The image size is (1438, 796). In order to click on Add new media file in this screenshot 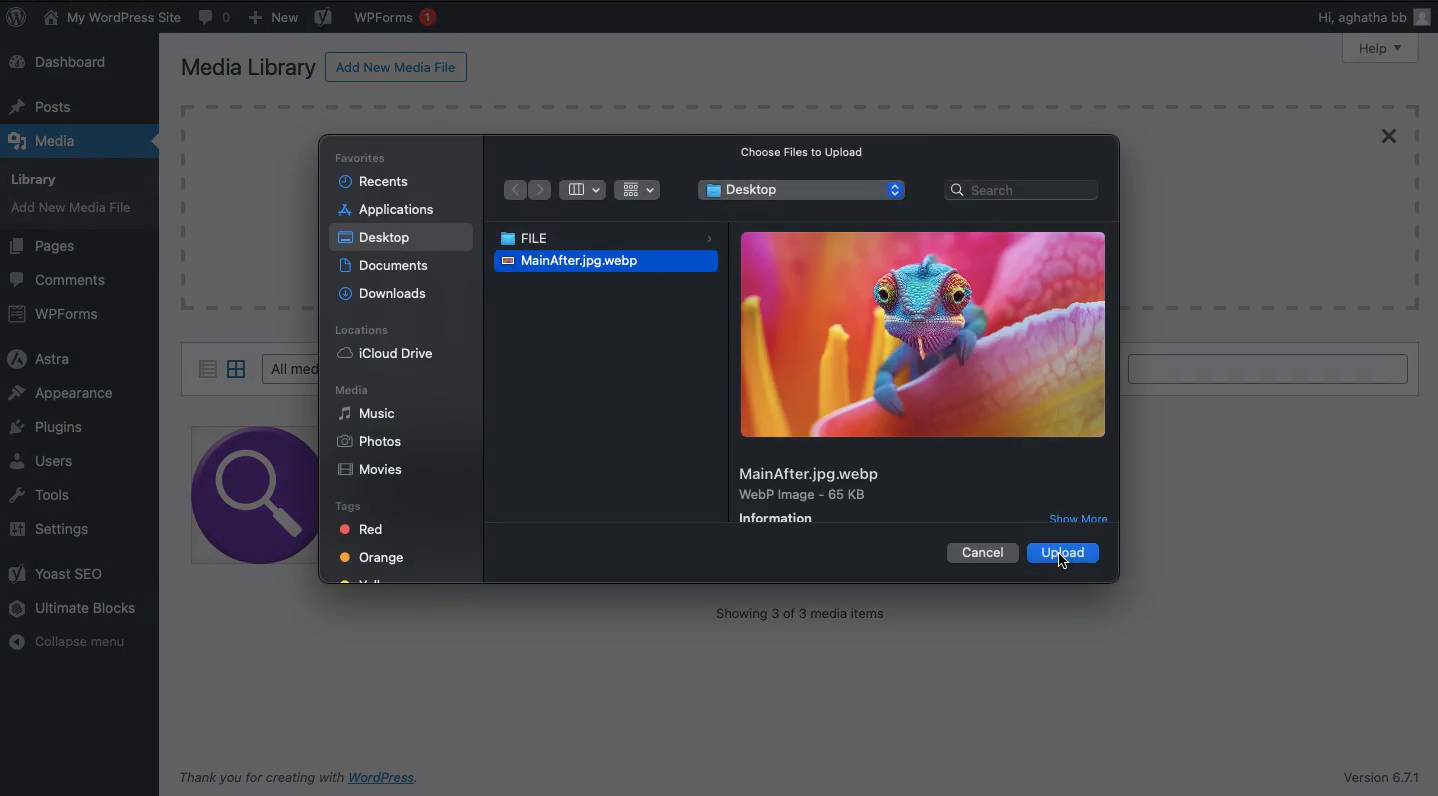, I will do `click(398, 70)`.